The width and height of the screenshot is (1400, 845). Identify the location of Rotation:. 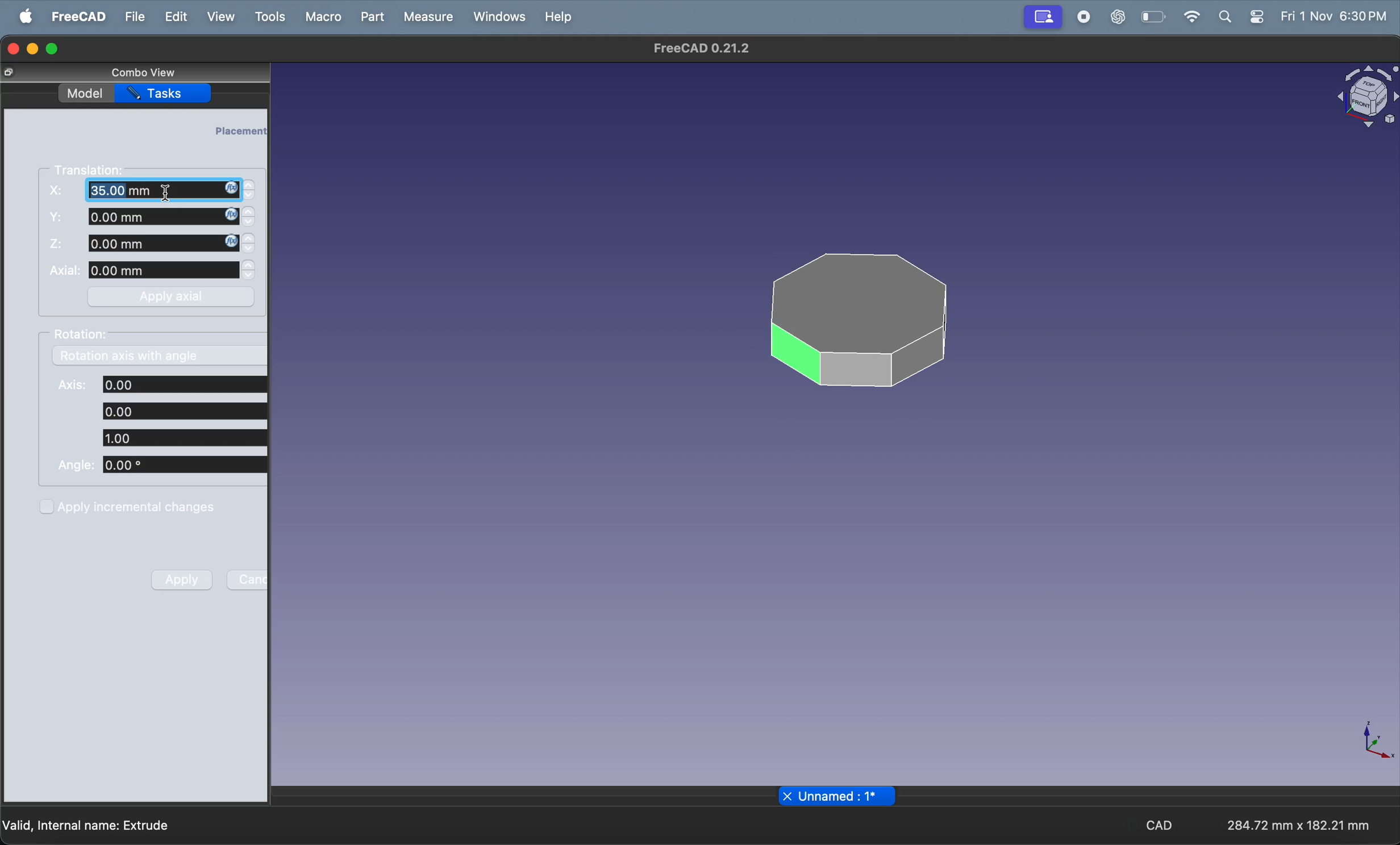
(85, 334).